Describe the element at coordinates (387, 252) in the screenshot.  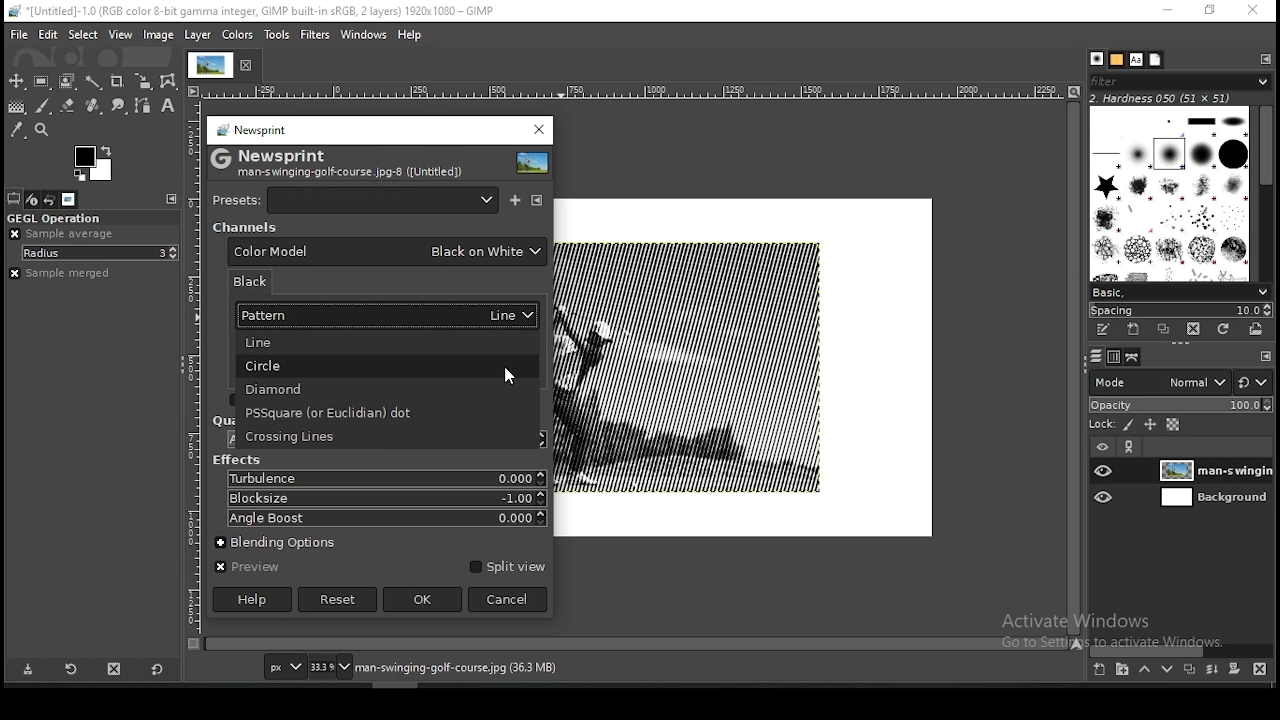
I see `color model` at that location.